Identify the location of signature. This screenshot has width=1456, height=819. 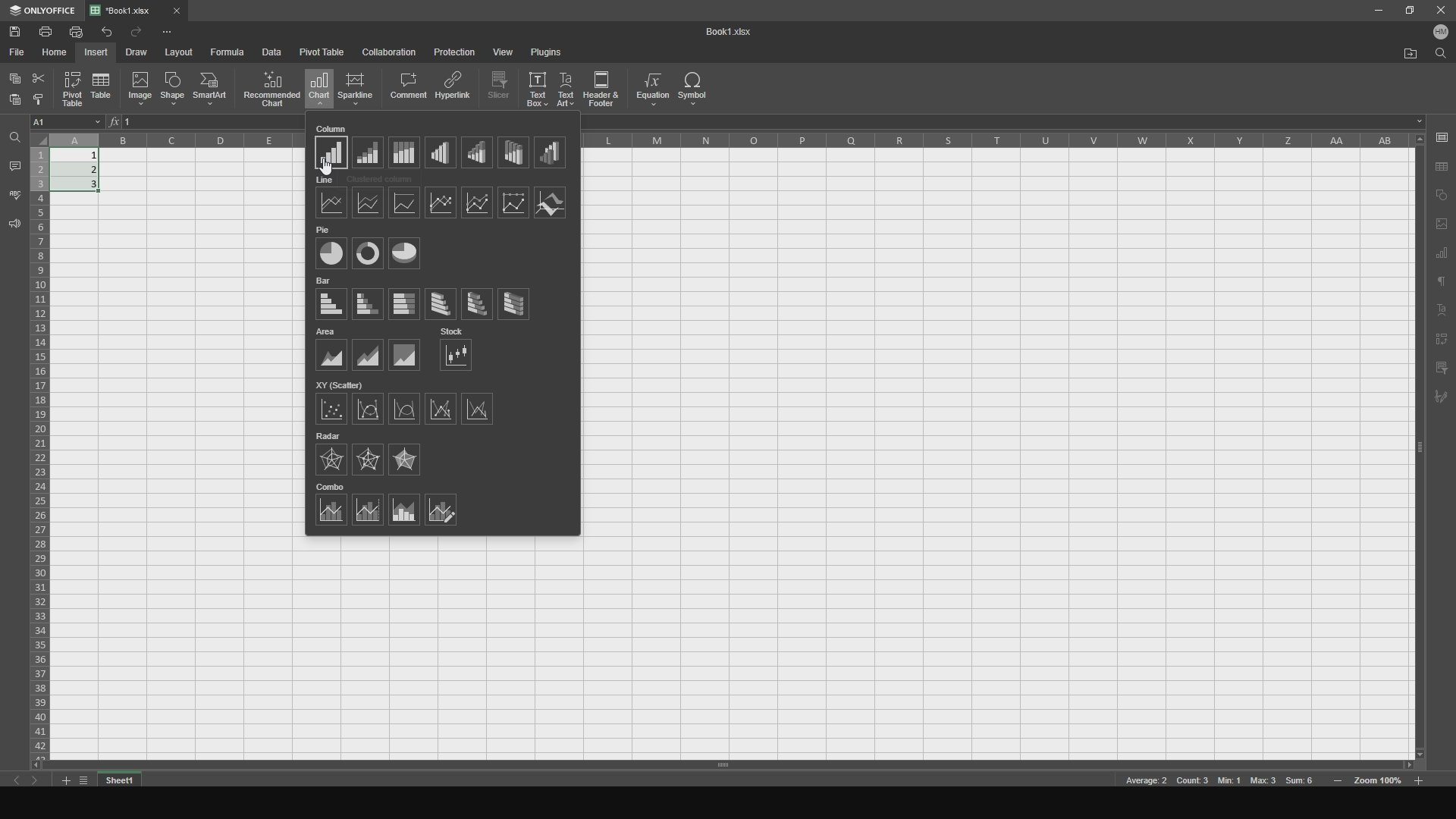
(1444, 400).